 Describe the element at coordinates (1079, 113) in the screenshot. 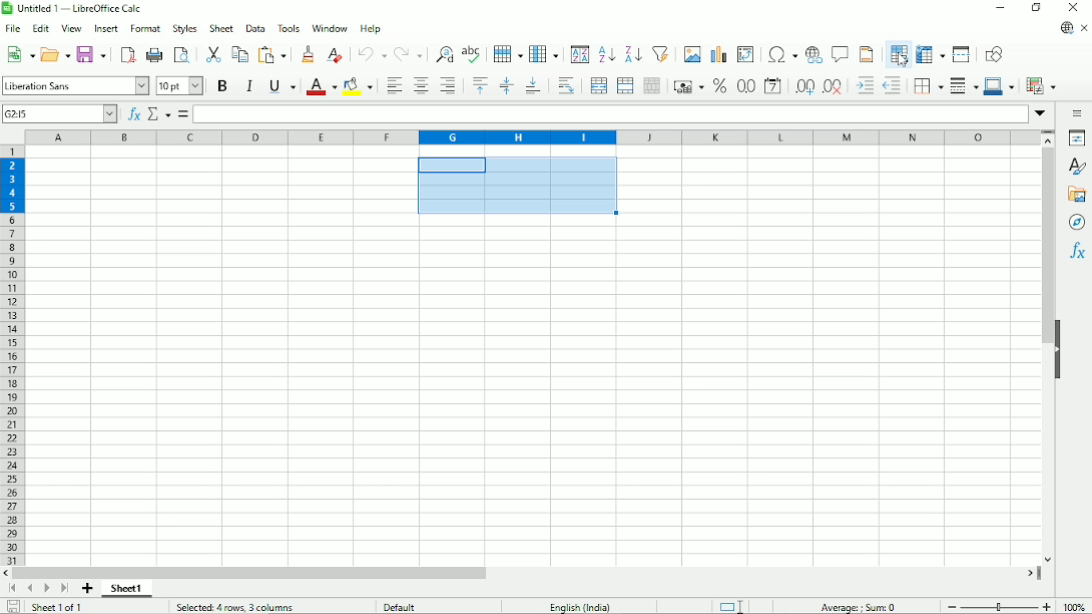

I see `Sidebar settings` at that location.